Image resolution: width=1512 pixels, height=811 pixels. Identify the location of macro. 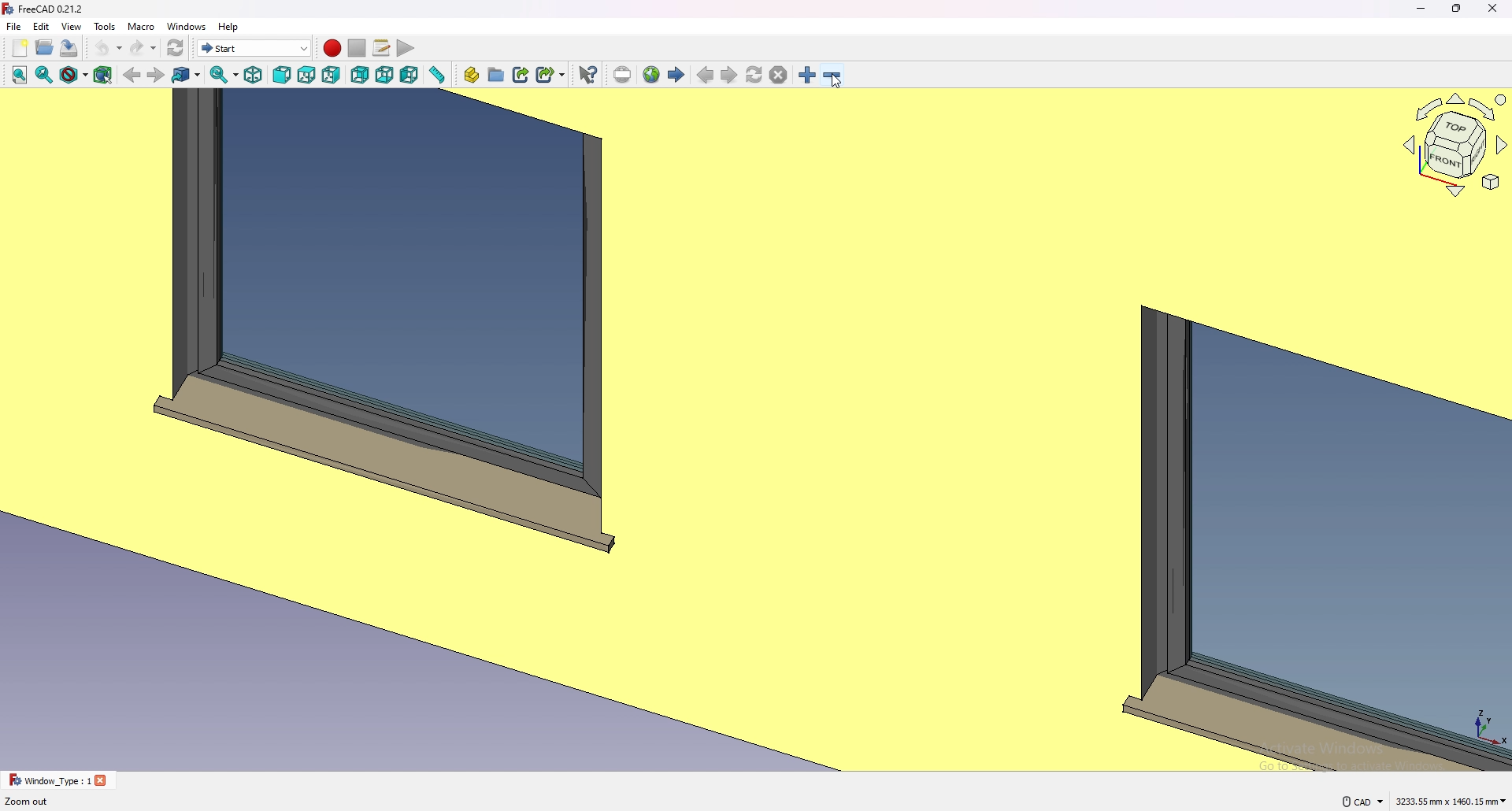
(143, 26).